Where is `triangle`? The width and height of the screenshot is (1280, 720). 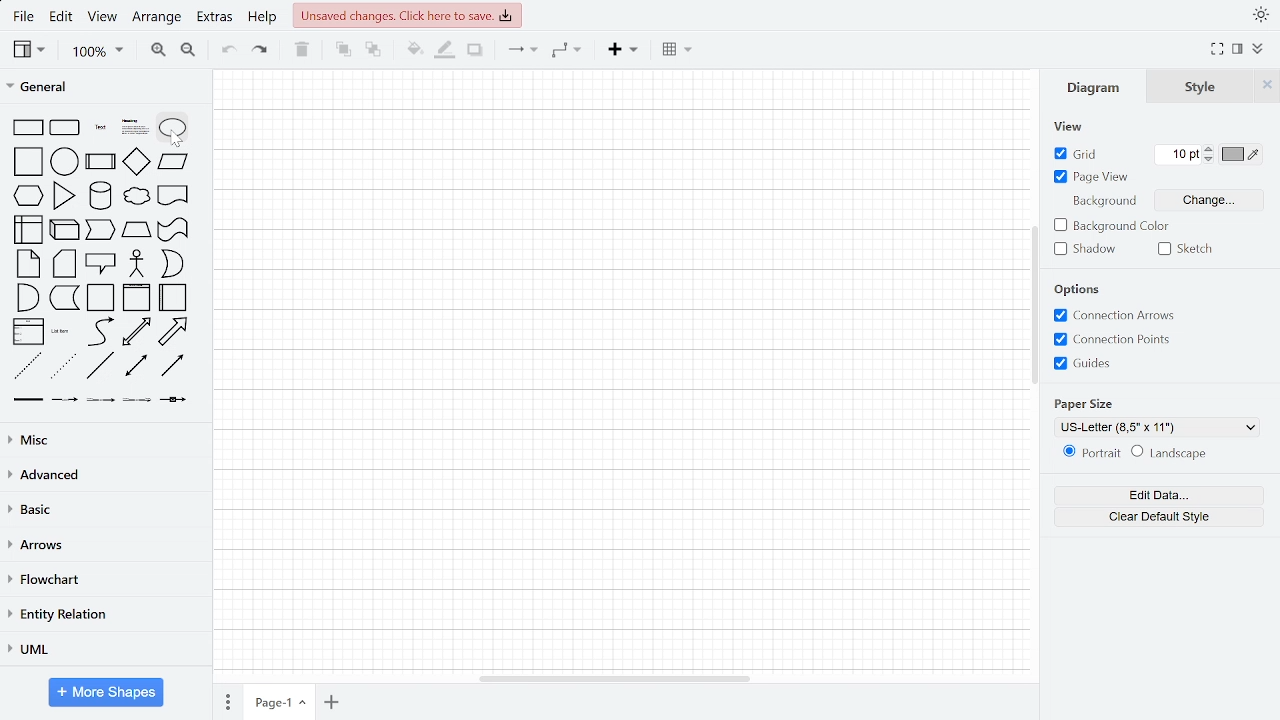
triangle is located at coordinates (64, 196).